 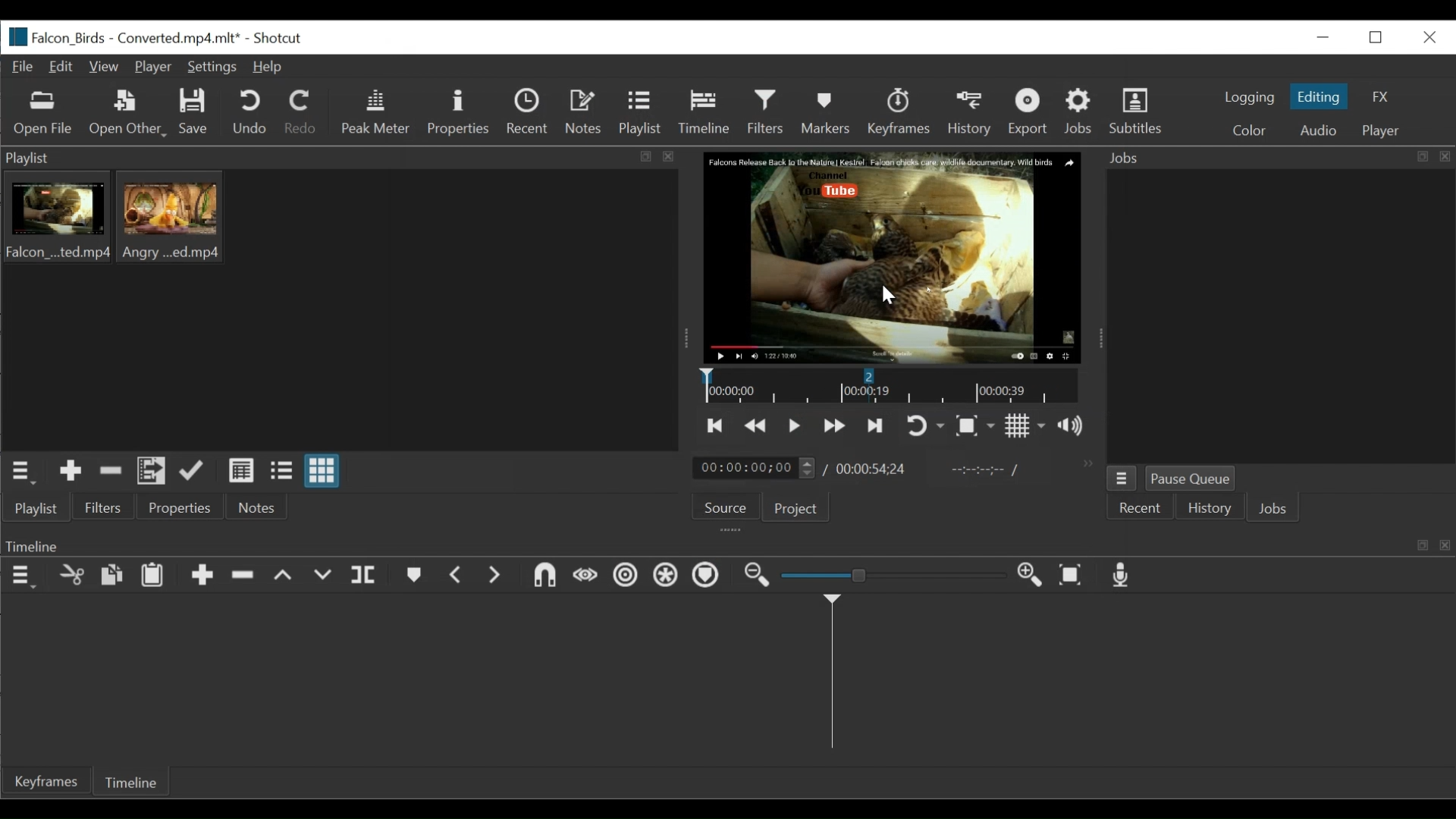 I want to click on Undo, so click(x=249, y=112).